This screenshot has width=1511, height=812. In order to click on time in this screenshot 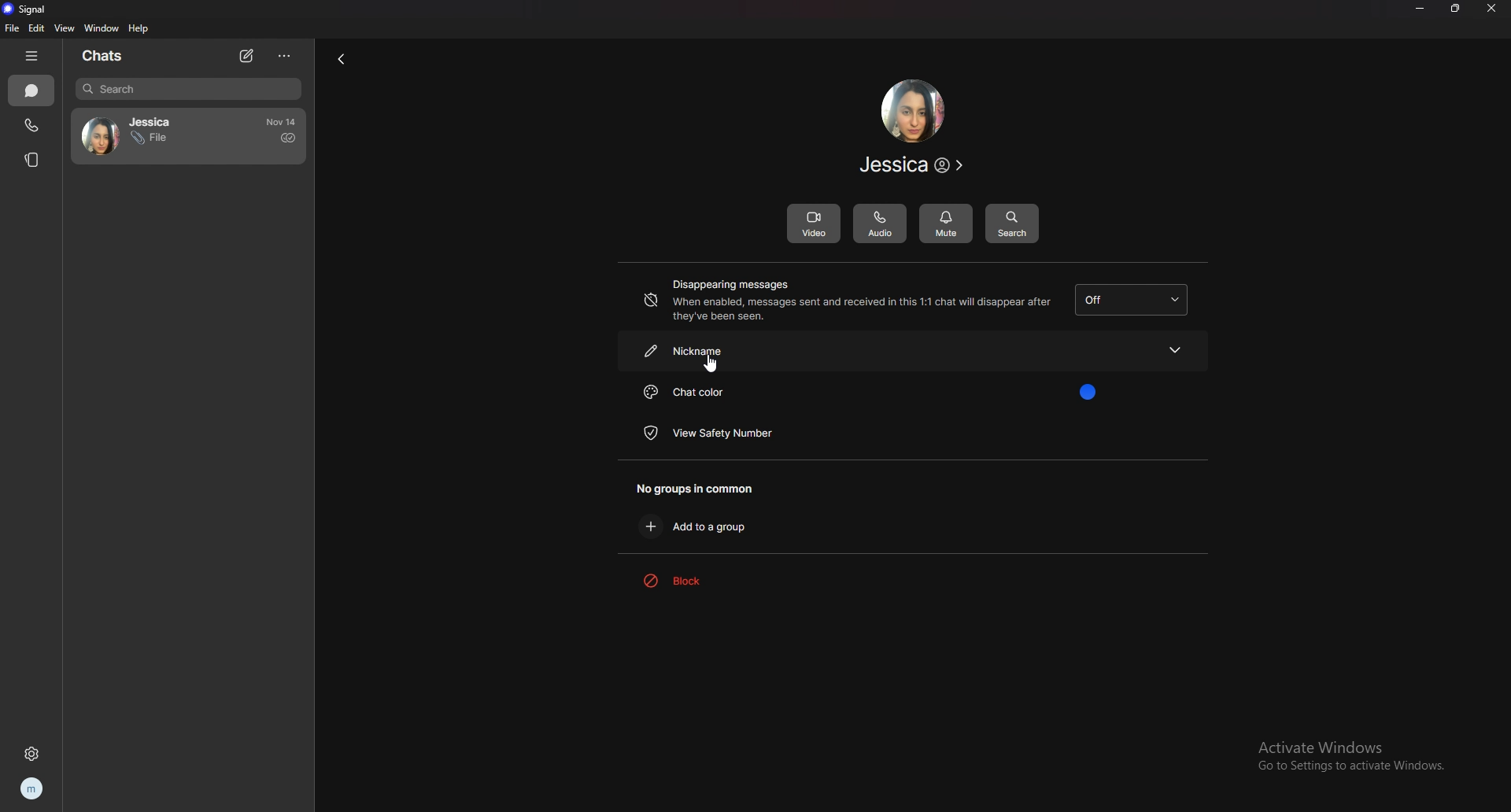, I will do `click(281, 122)`.